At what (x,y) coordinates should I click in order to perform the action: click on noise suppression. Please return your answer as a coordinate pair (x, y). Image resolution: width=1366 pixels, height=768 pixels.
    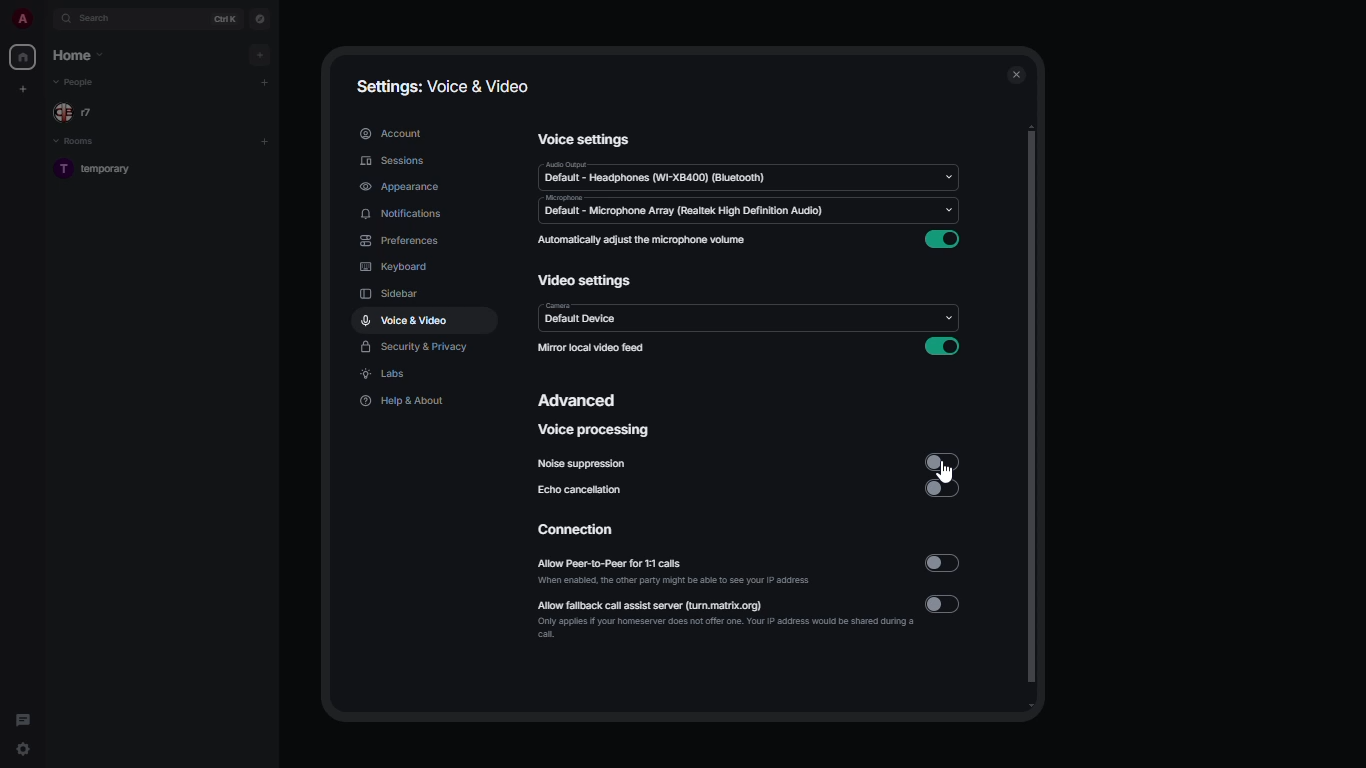
    Looking at the image, I should click on (582, 464).